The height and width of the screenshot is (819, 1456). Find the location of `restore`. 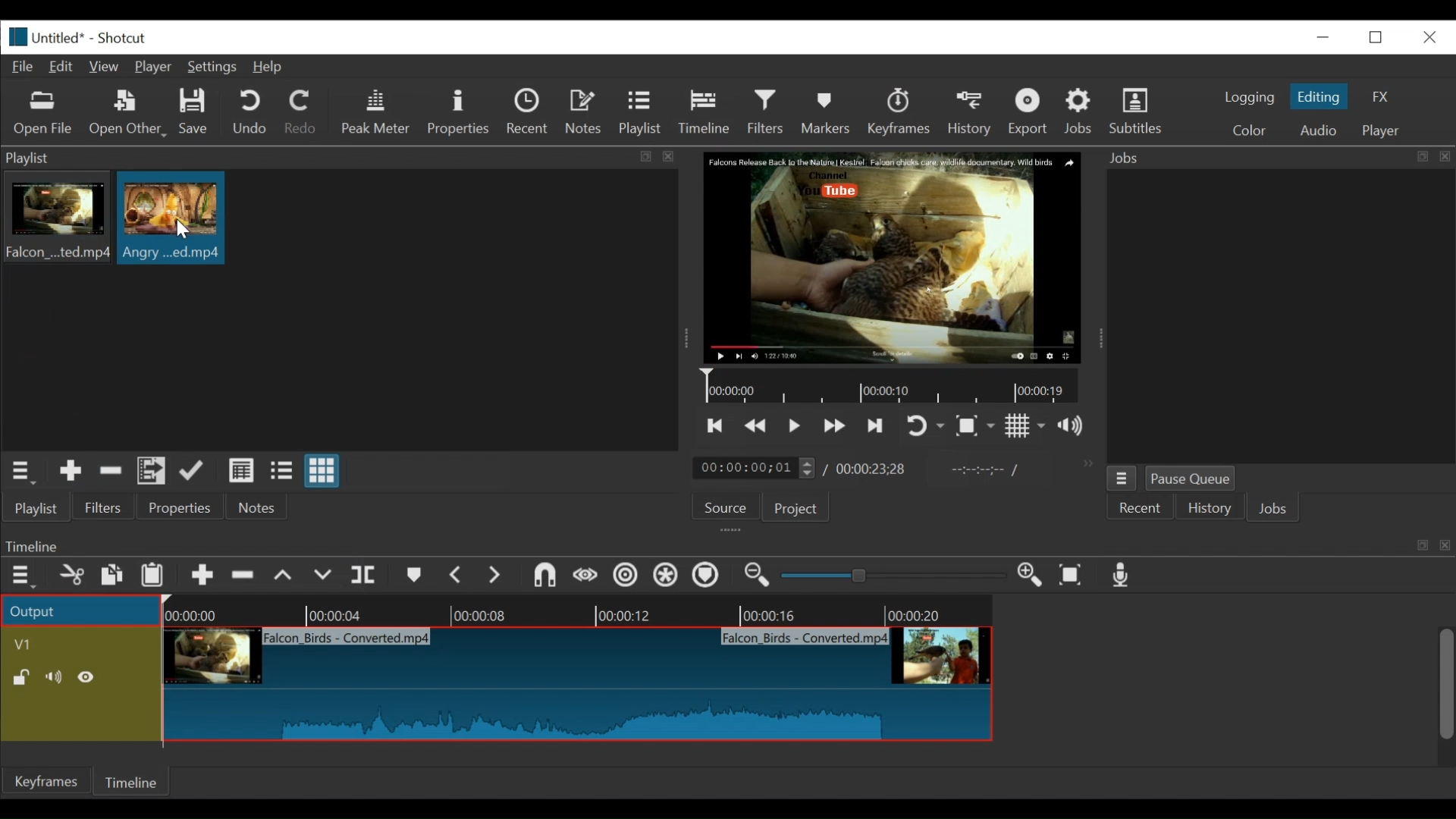

restore is located at coordinates (1380, 36).